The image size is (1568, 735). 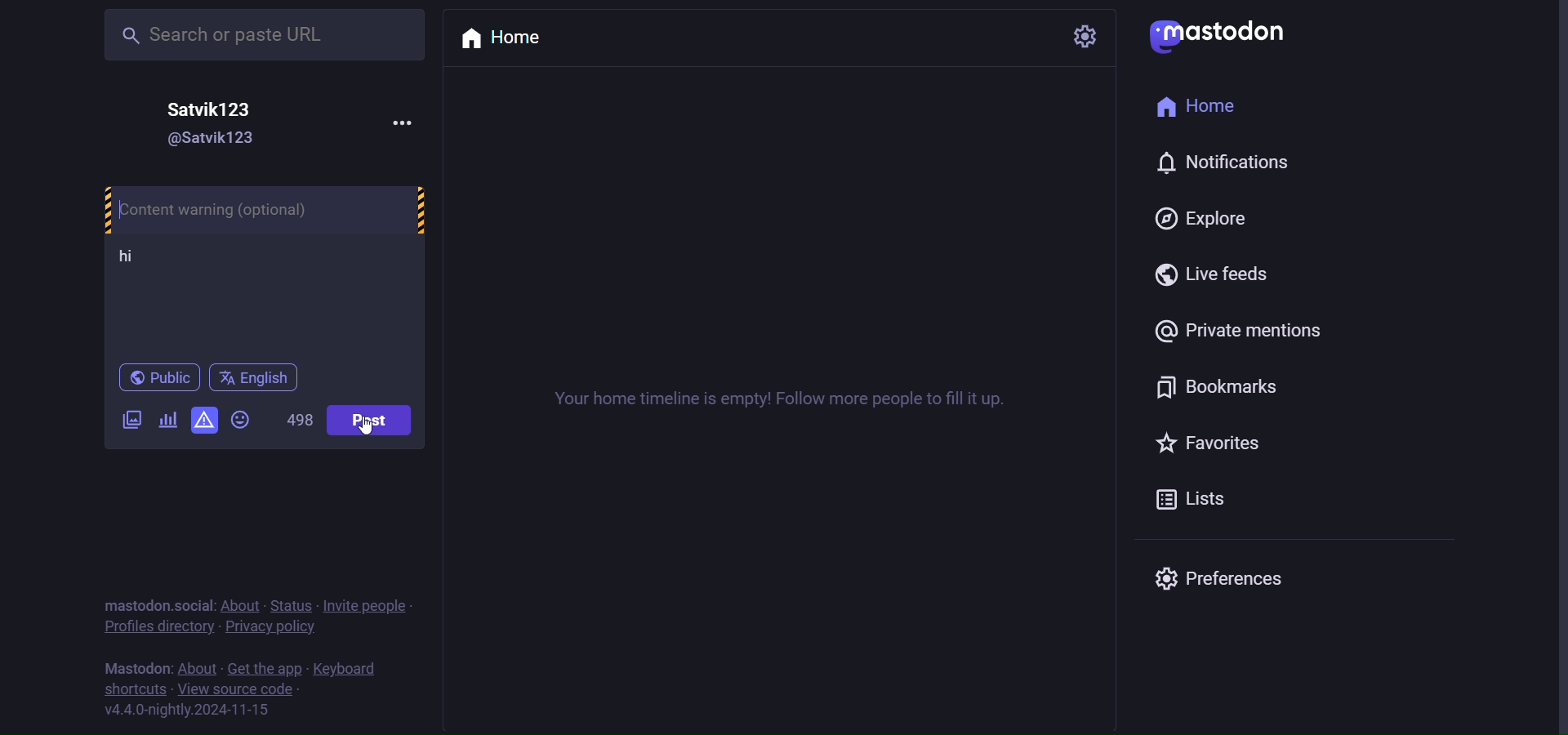 What do you see at coordinates (264, 669) in the screenshot?
I see `get the app` at bounding box center [264, 669].